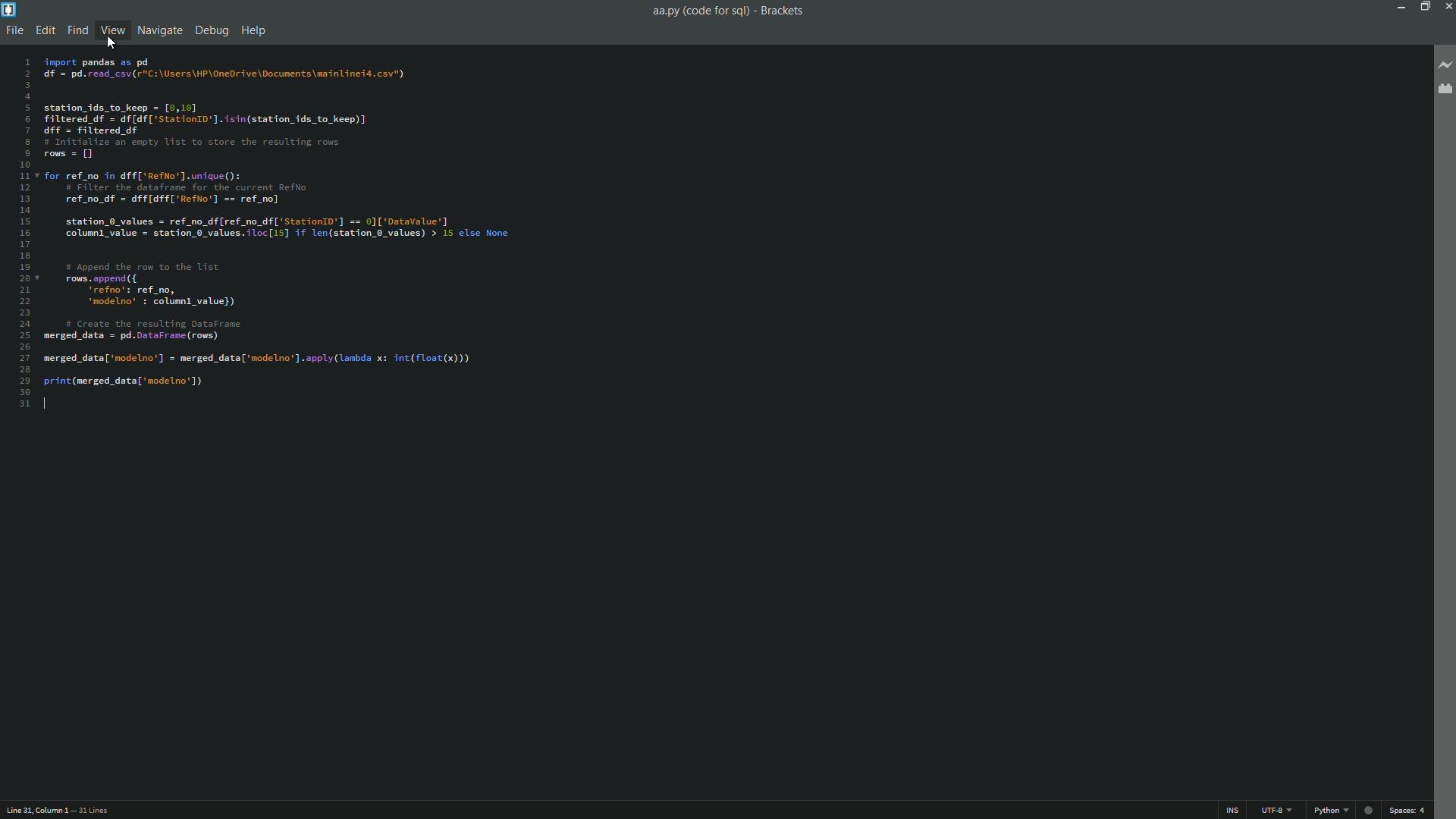 Image resolution: width=1456 pixels, height=819 pixels. What do you see at coordinates (64, 808) in the screenshot?
I see `Line31, Column 1 — 31 Lines.` at bounding box center [64, 808].